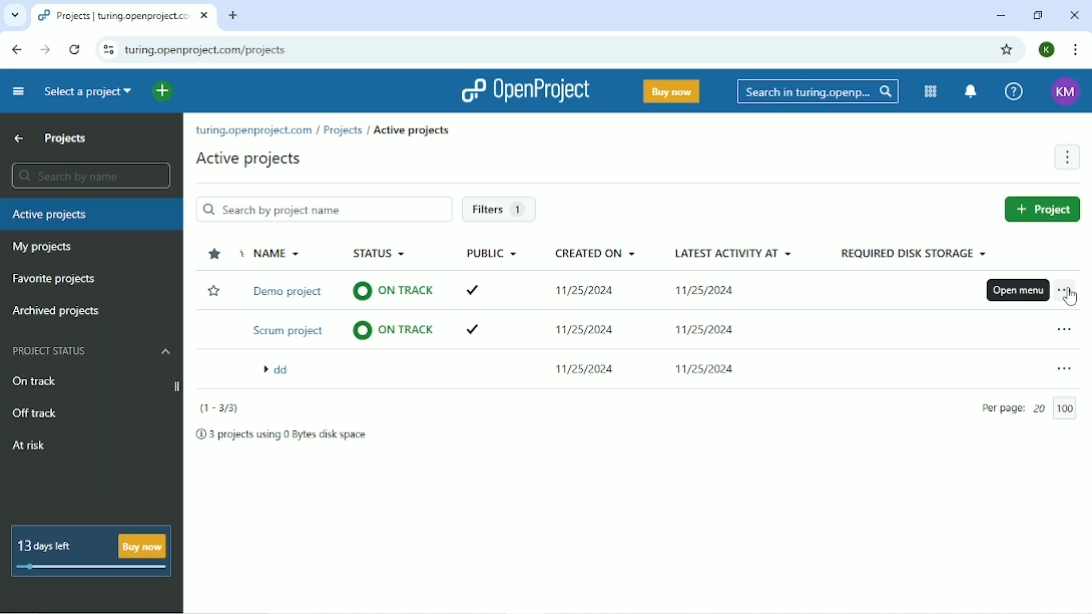 This screenshot has height=614, width=1092. Describe the element at coordinates (251, 132) in the screenshot. I see `turing.openproject.com` at that location.